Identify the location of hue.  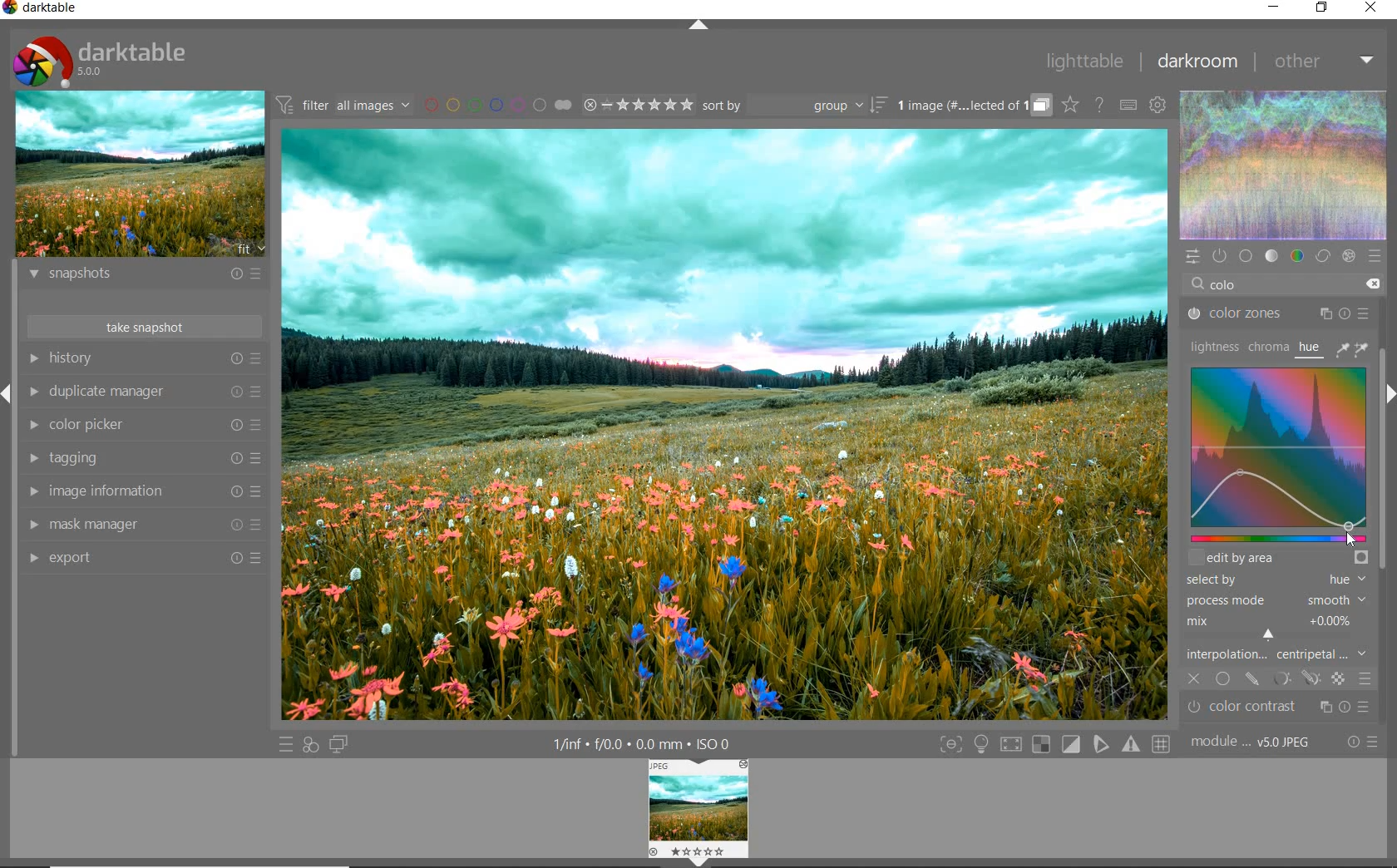
(1311, 350).